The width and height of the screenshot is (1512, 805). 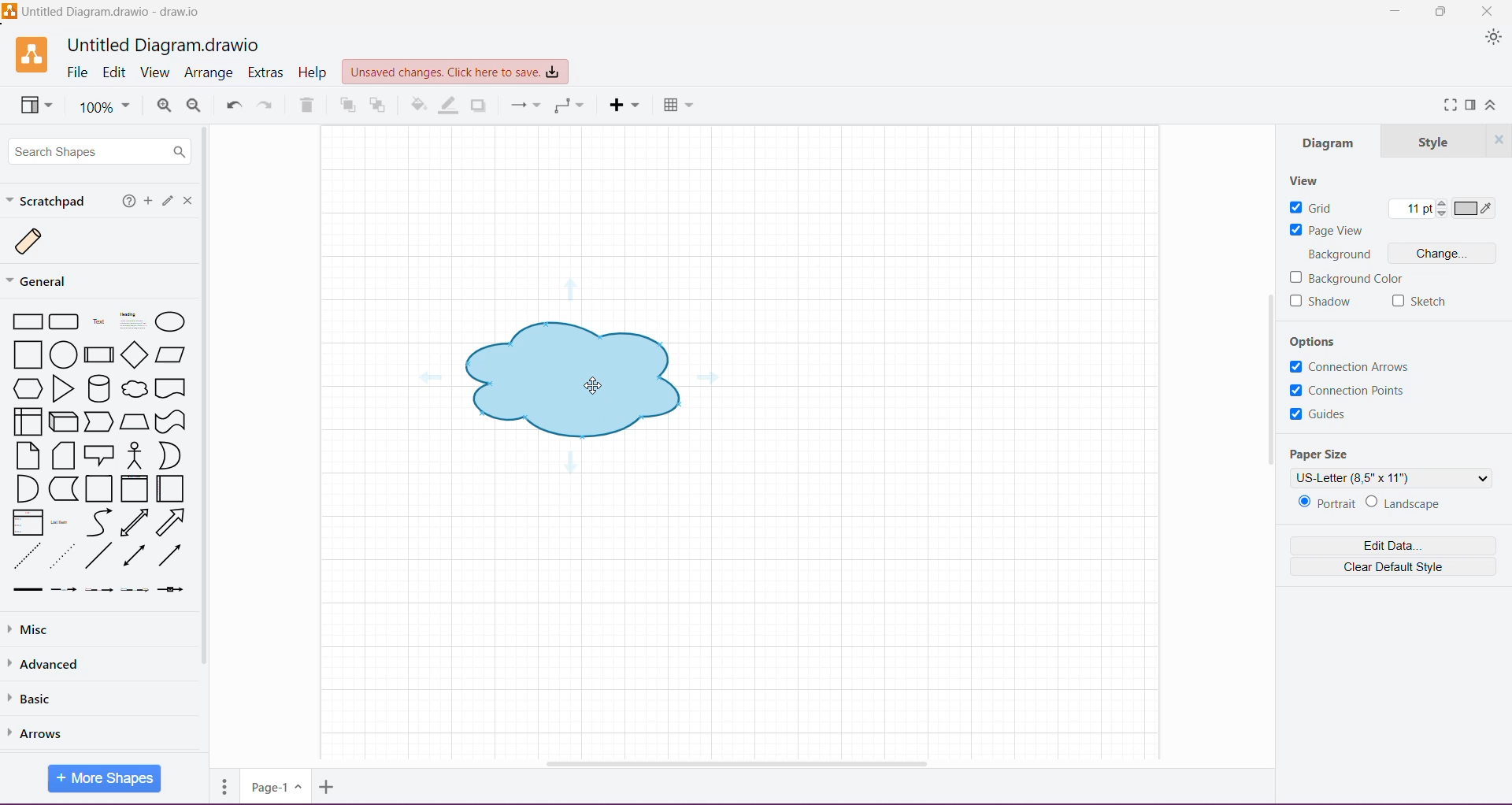 I want to click on Shape, so click(x=573, y=377).